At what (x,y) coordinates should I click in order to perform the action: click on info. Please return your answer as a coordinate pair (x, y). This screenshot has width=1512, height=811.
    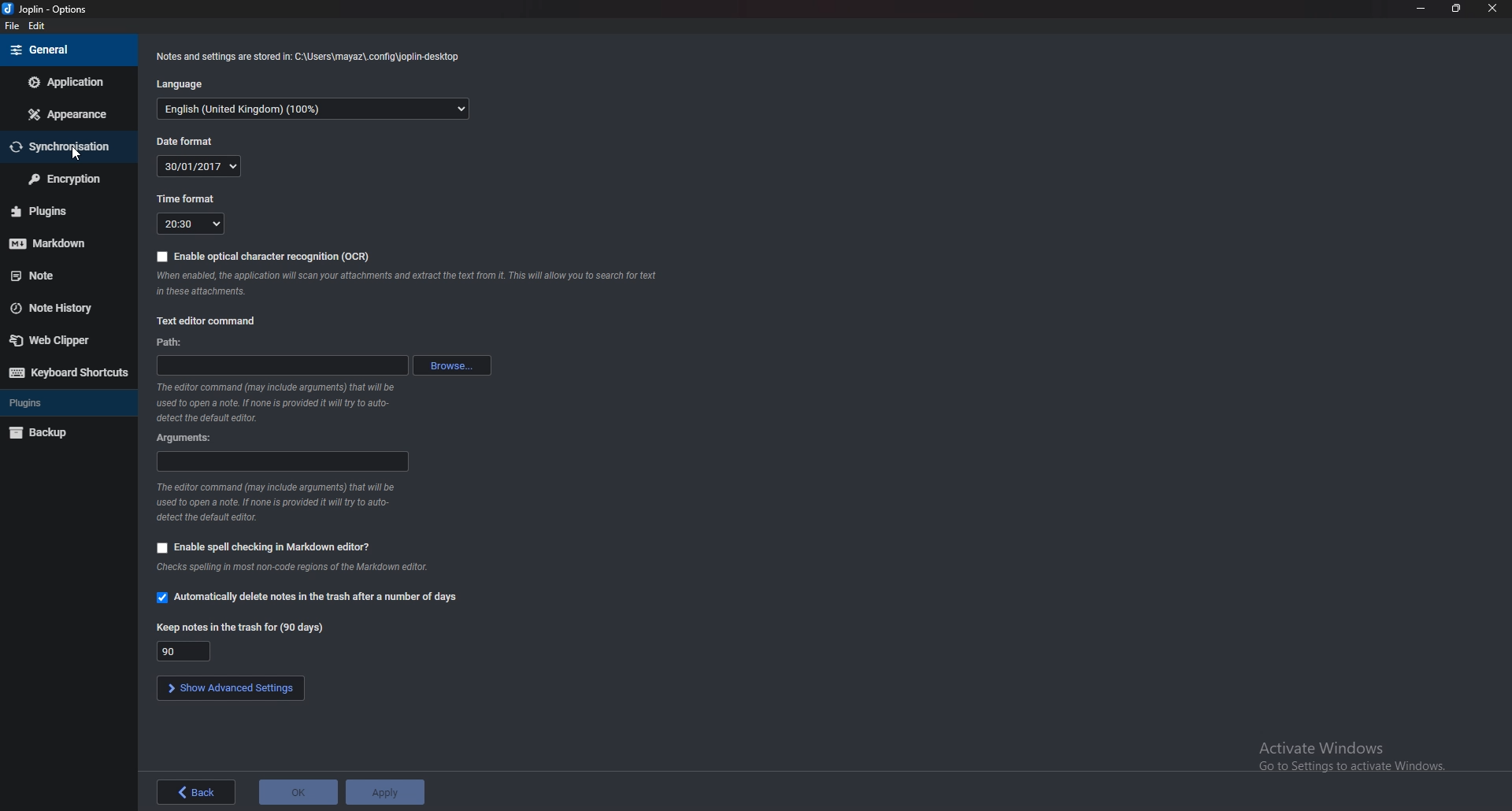
    Looking at the image, I should click on (312, 57).